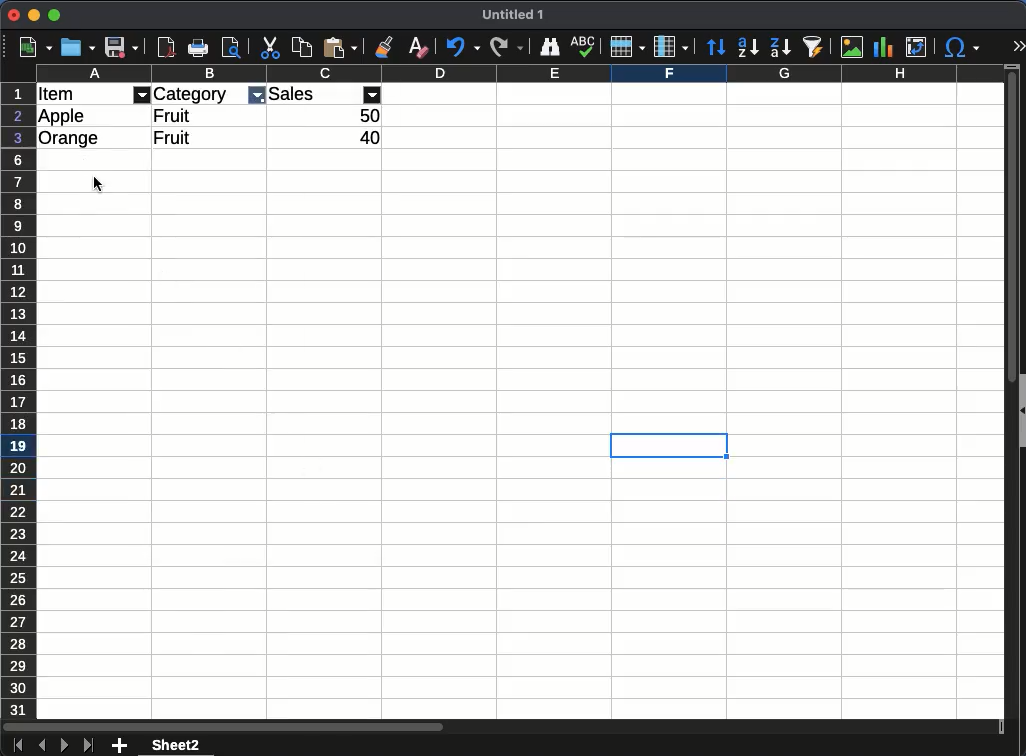 Image resolution: width=1026 pixels, height=756 pixels. I want to click on 50, so click(370, 116).